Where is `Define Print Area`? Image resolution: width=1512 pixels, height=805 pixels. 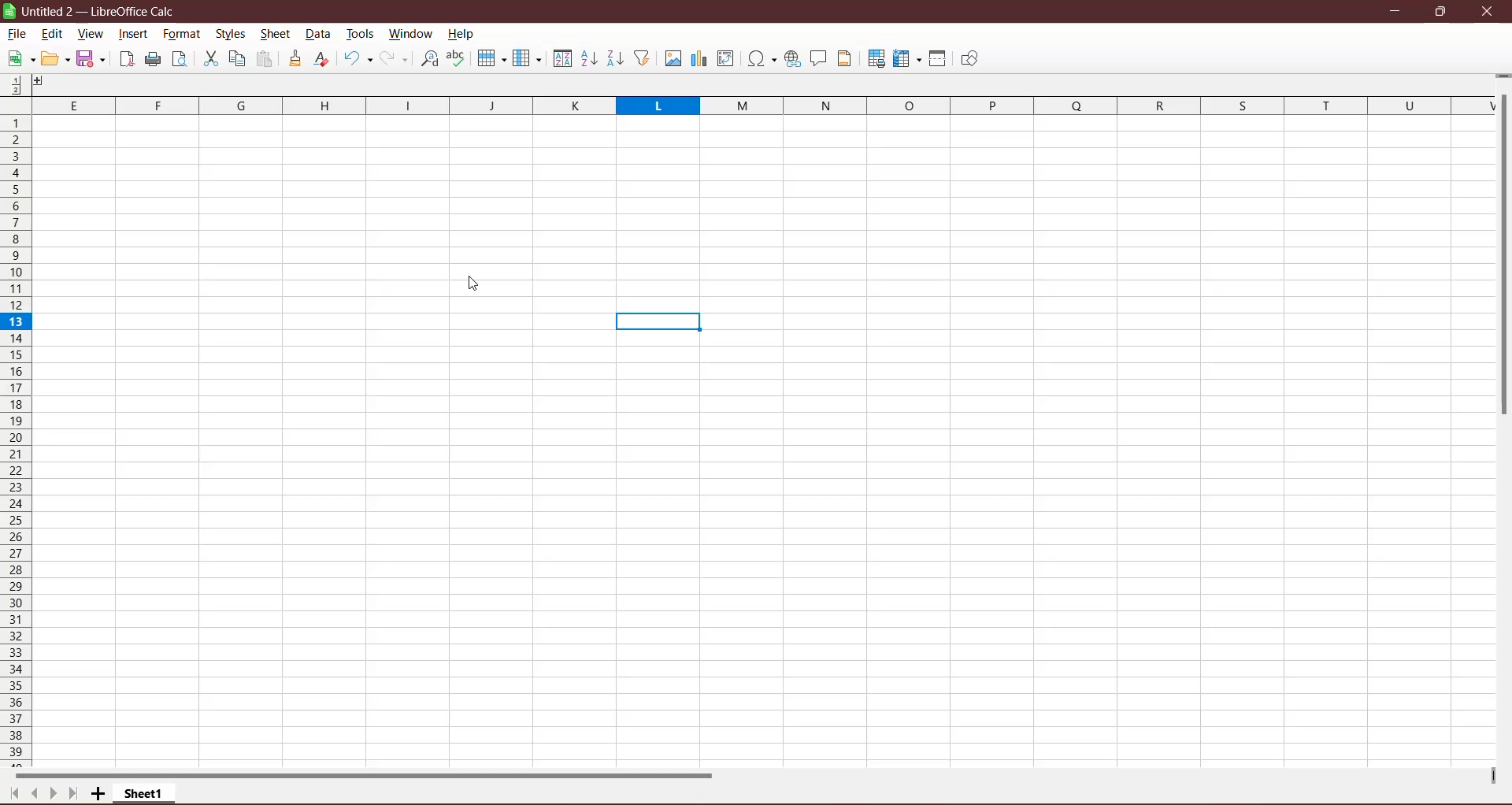
Define Print Area is located at coordinates (876, 60).